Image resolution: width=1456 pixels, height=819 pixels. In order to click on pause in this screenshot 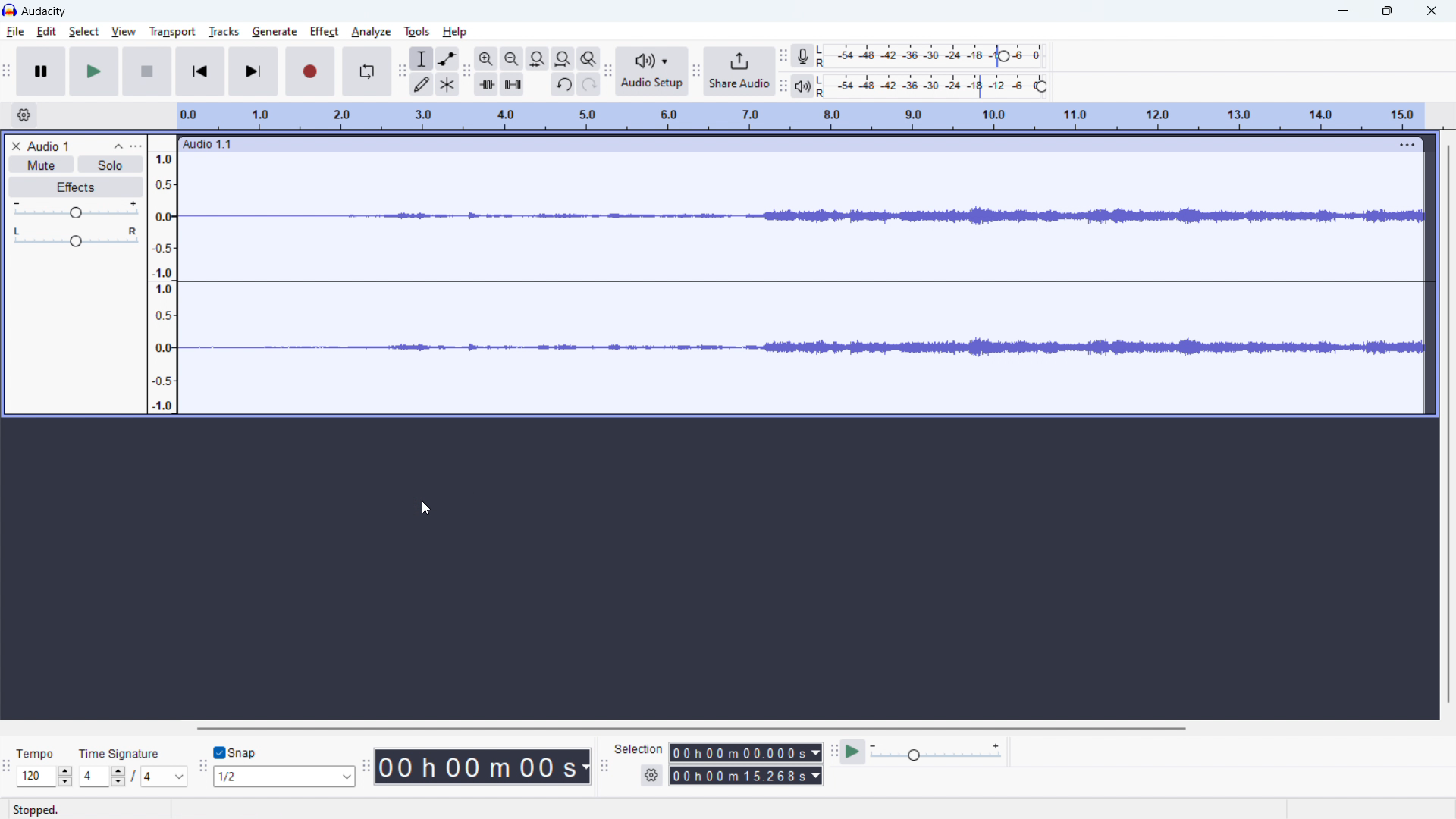, I will do `click(41, 71)`.